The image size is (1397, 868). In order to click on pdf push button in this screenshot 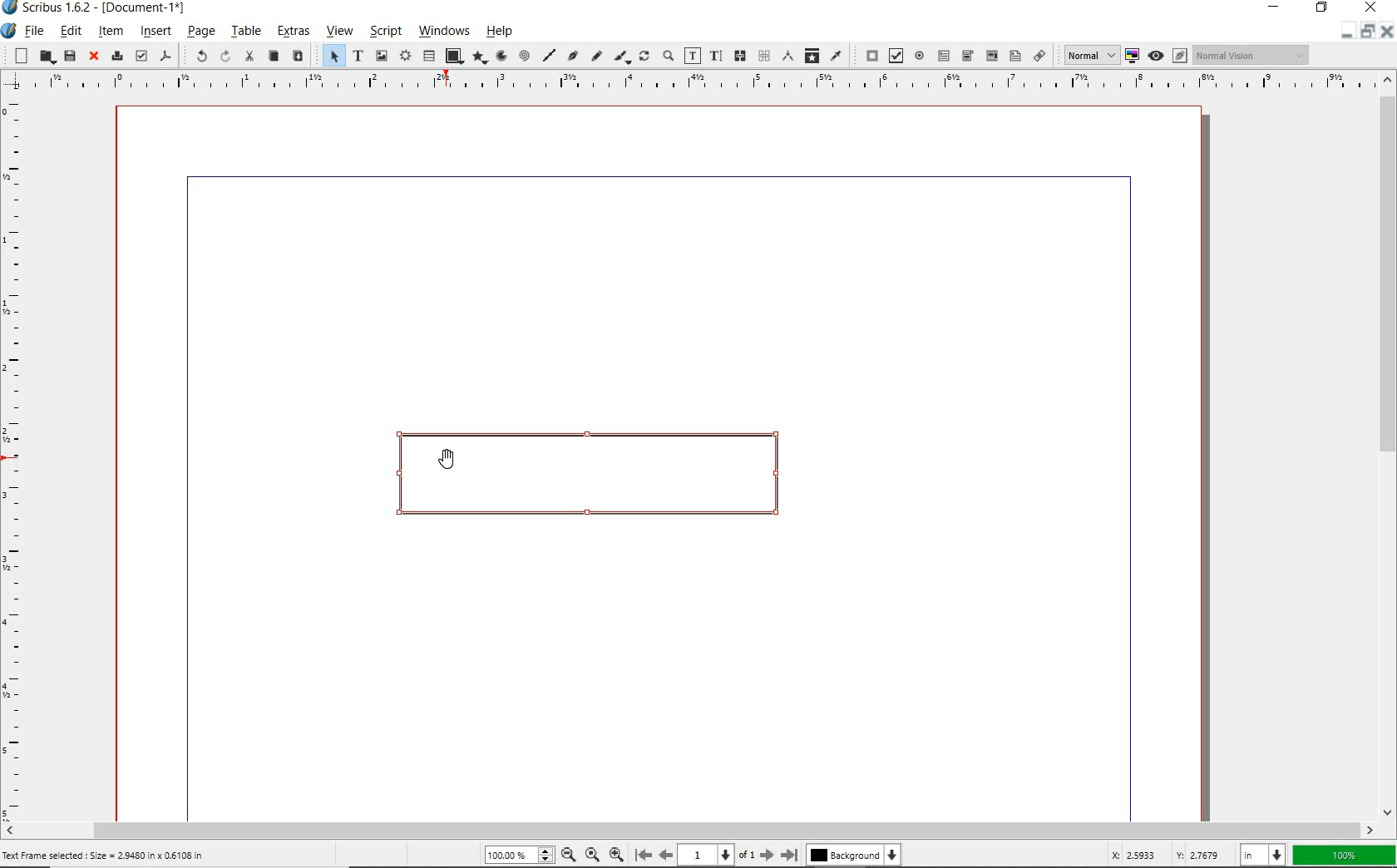, I will do `click(868, 56)`.